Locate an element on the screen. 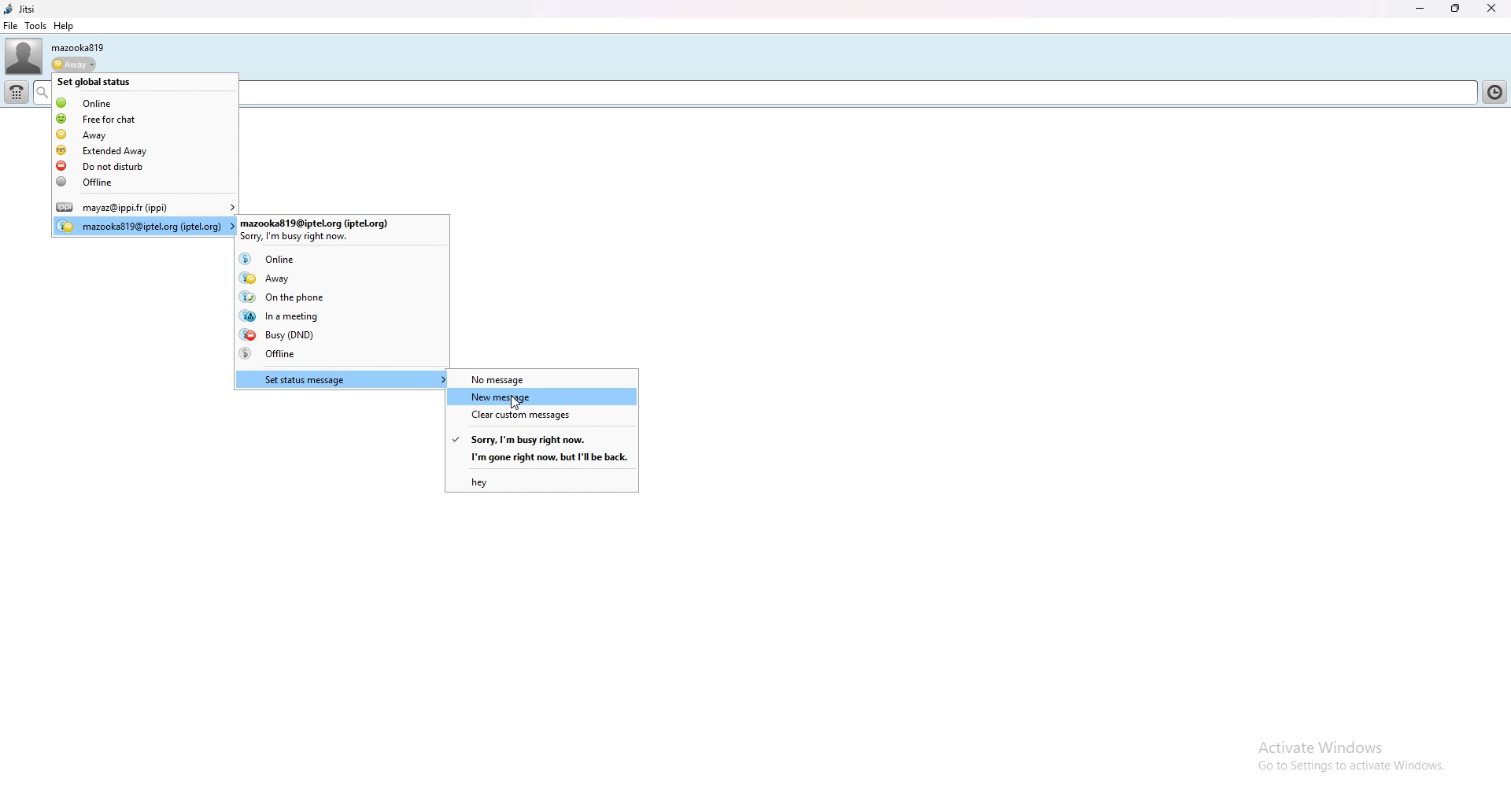  username is located at coordinates (77, 47).